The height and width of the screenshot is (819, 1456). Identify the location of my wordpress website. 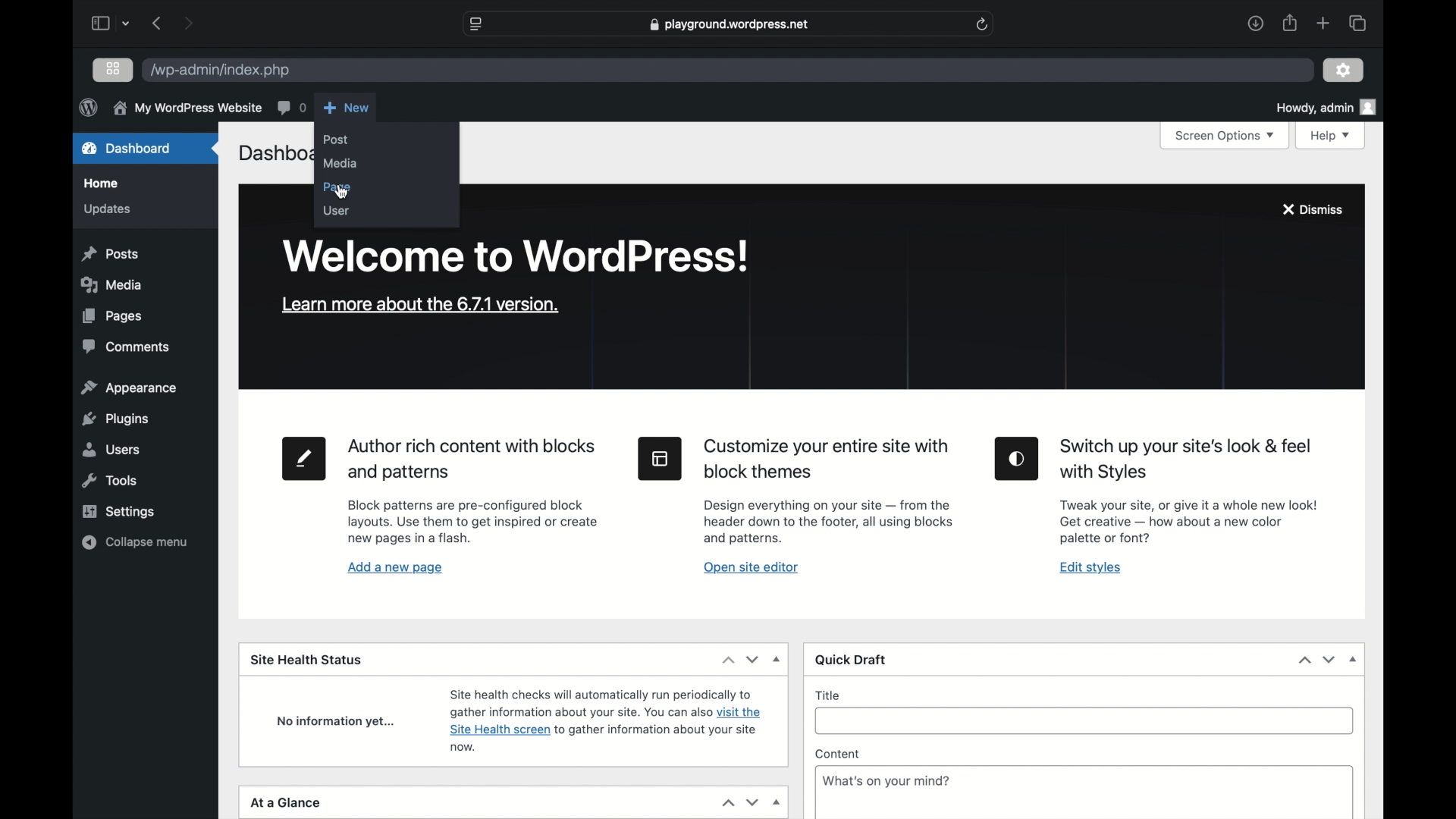
(187, 108).